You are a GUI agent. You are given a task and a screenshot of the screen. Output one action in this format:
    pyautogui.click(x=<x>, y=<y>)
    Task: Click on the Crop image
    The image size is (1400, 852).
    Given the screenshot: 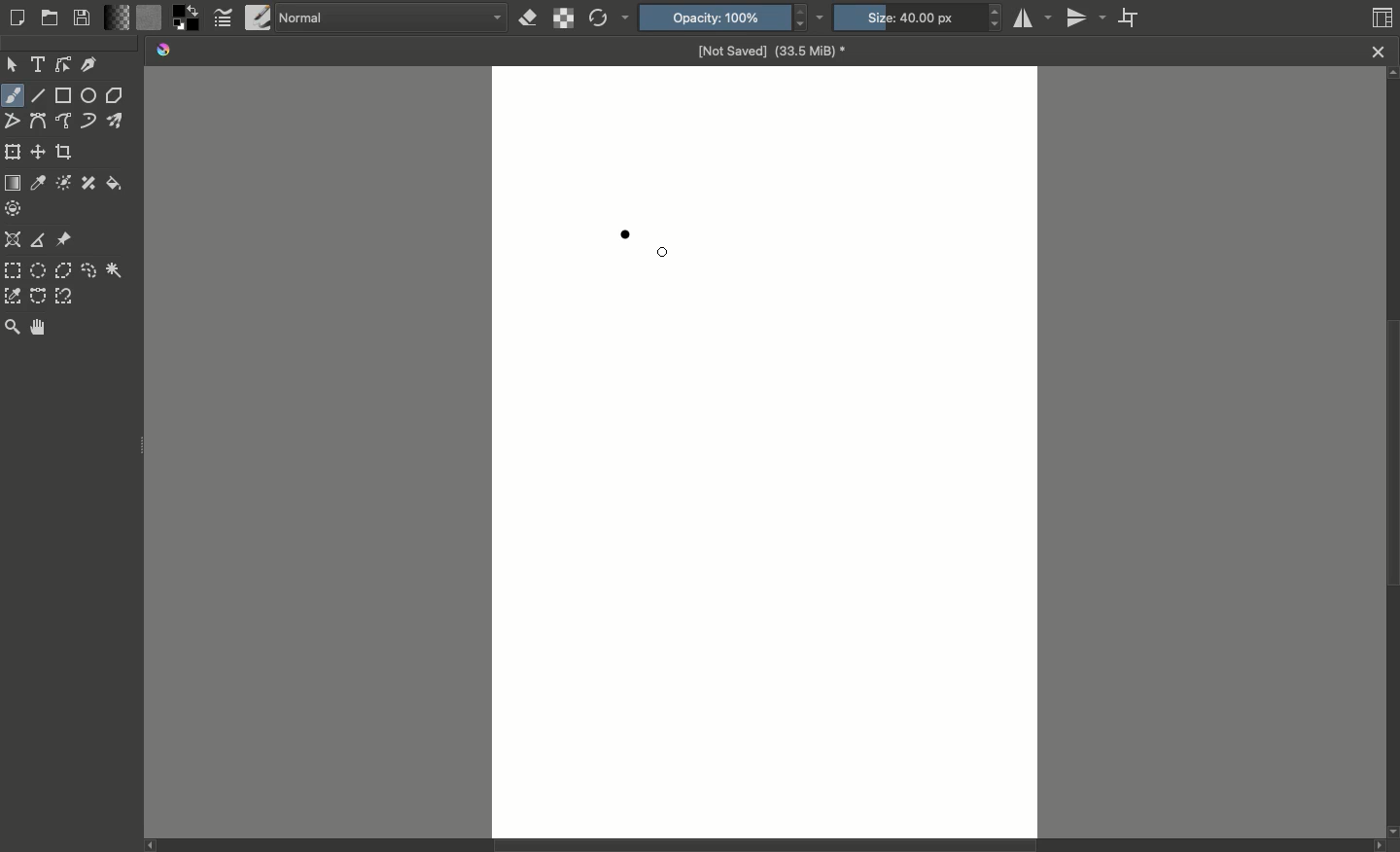 What is the action you would take?
    pyautogui.click(x=64, y=154)
    